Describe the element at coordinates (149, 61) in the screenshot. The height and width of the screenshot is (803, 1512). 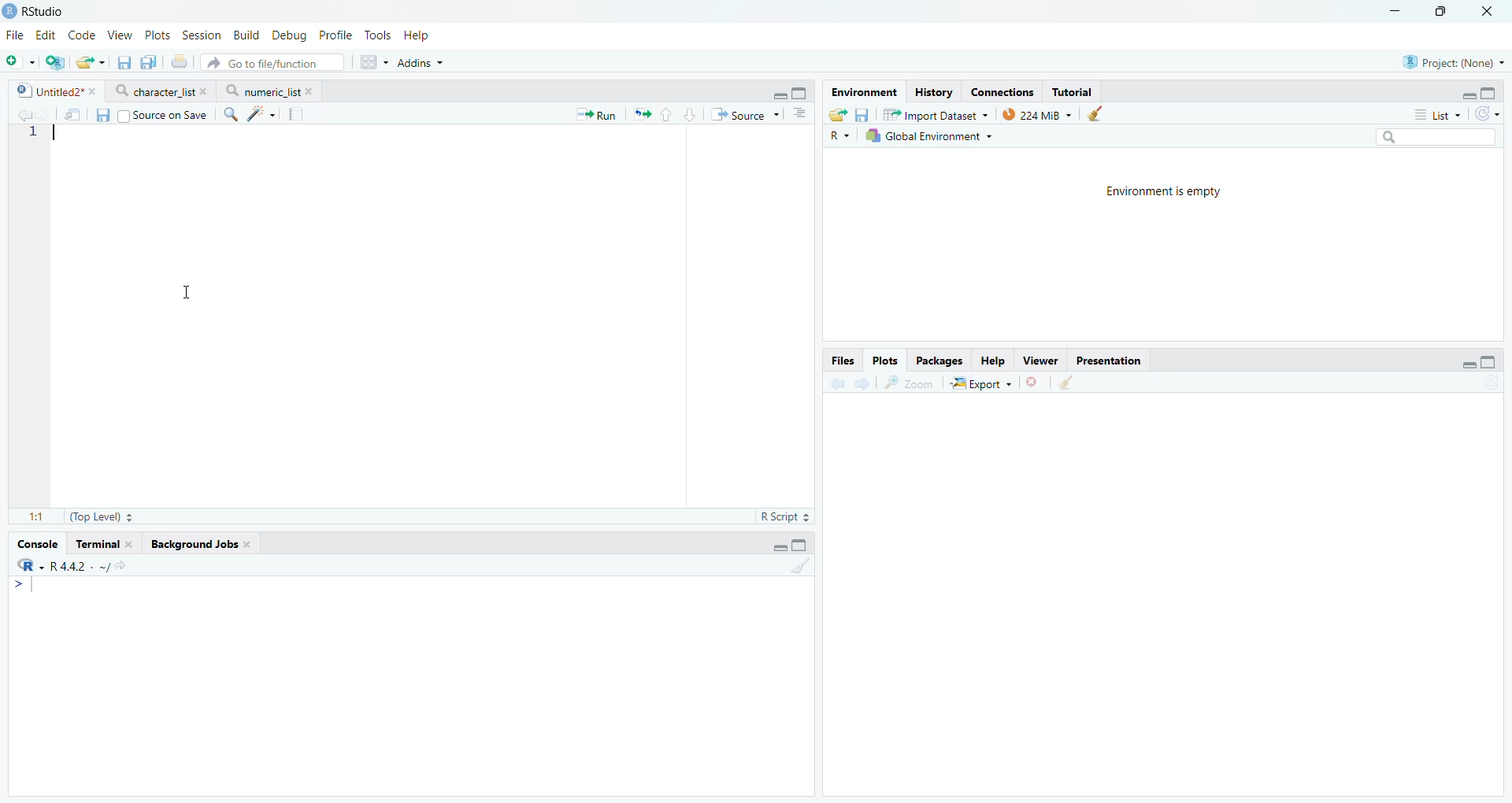
I see `Save all open files` at that location.